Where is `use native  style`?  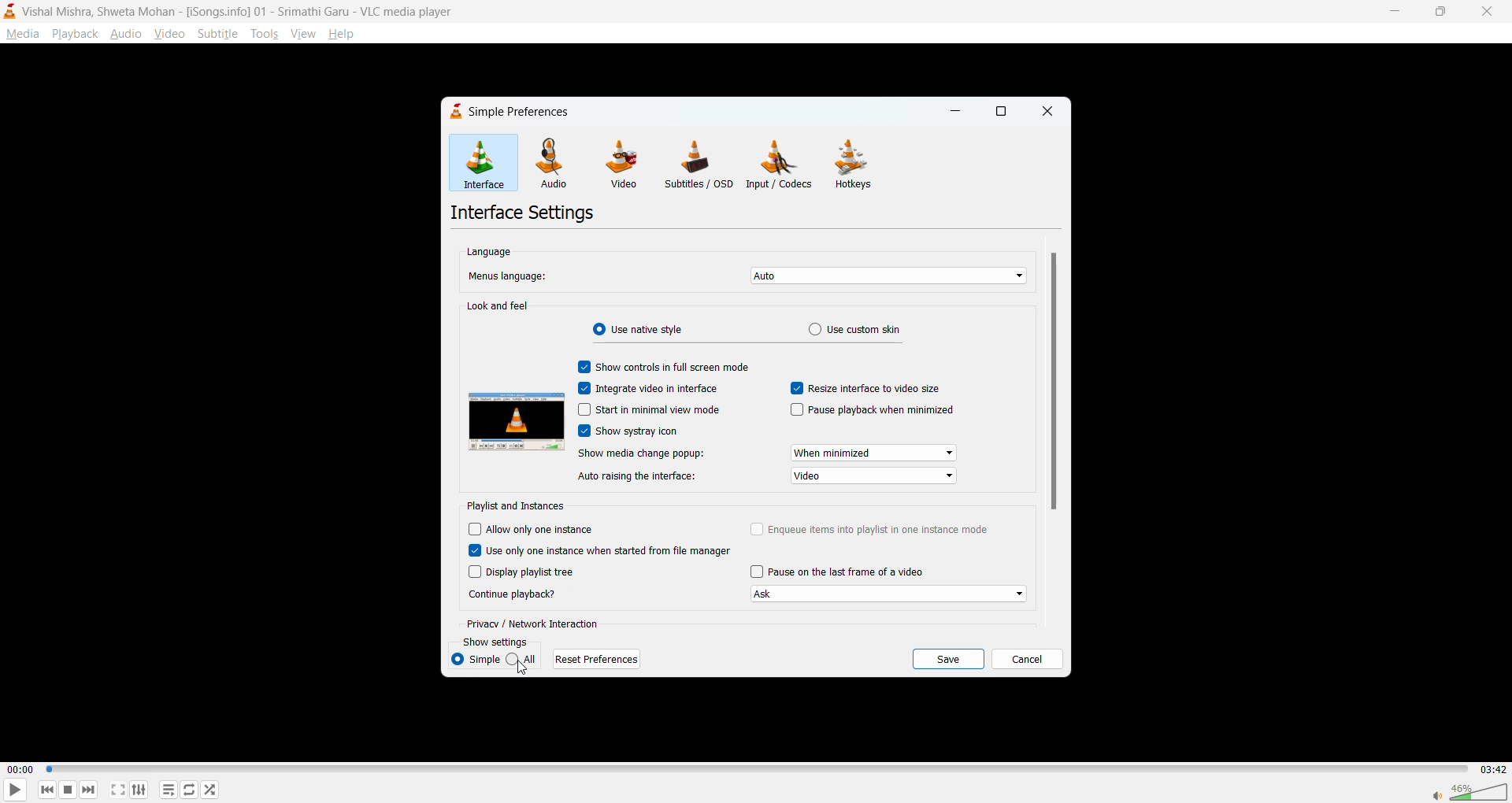 use native  style is located at coordinates (643, 331).